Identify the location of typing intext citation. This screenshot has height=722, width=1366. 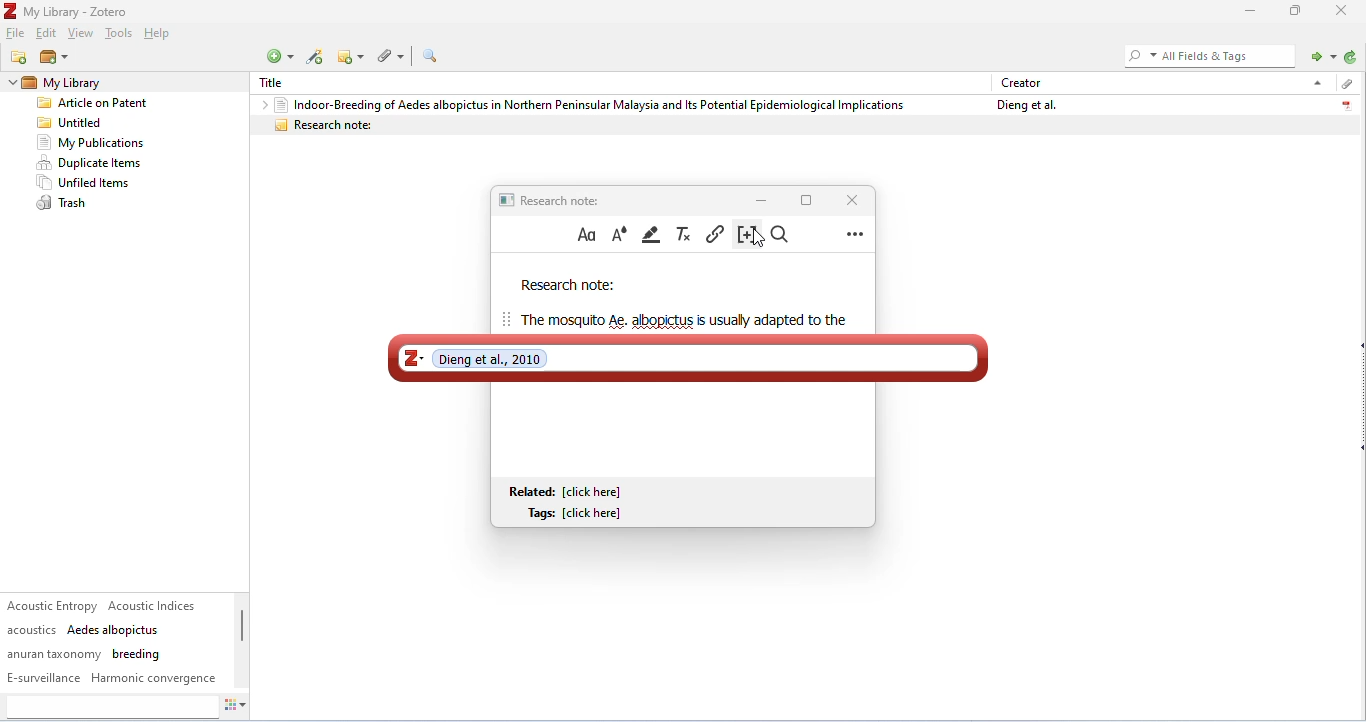
(687, 357).